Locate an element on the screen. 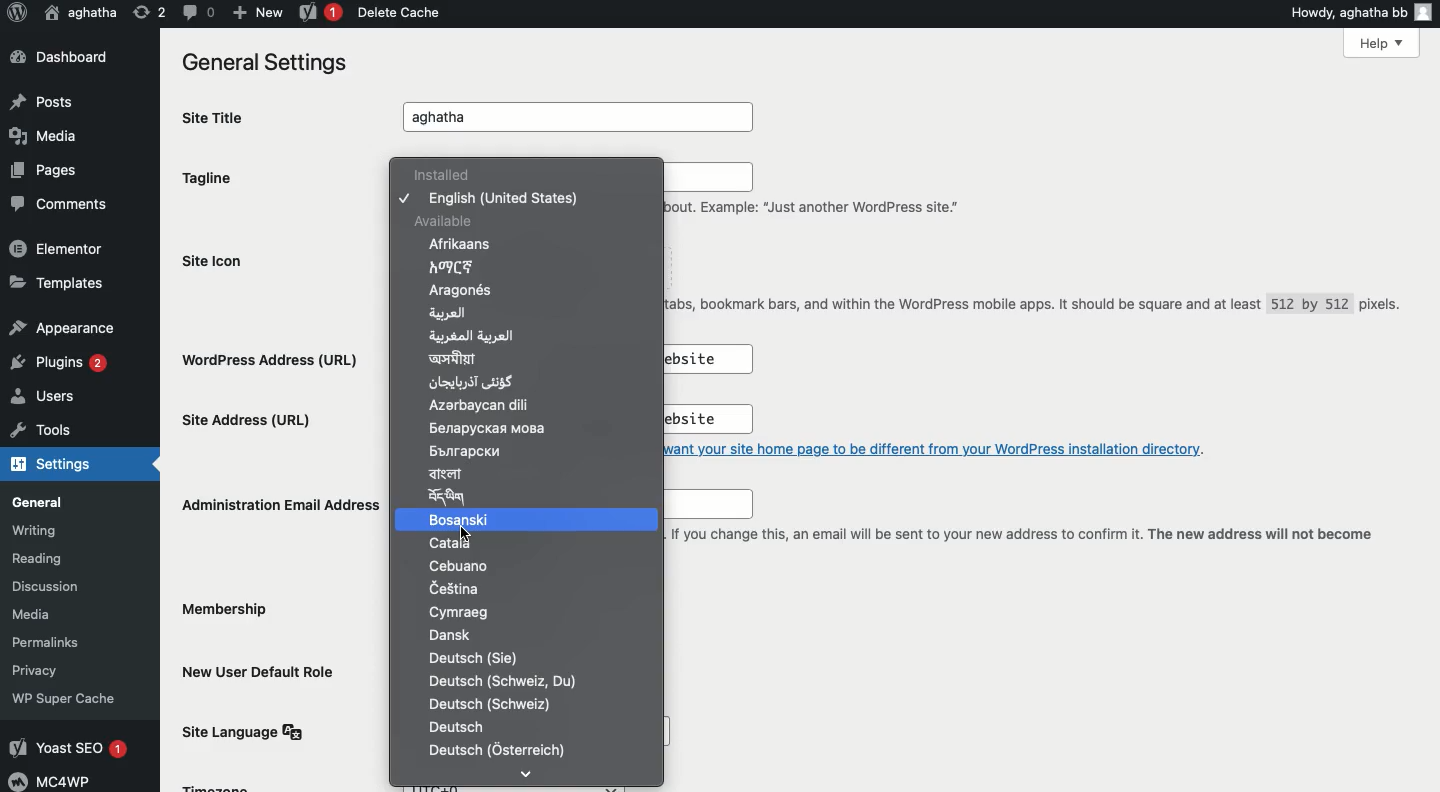 Image resolution: width=1440 pixels, height=792 pixels. Installed language English (United States) is located at coordinates (505, 255).